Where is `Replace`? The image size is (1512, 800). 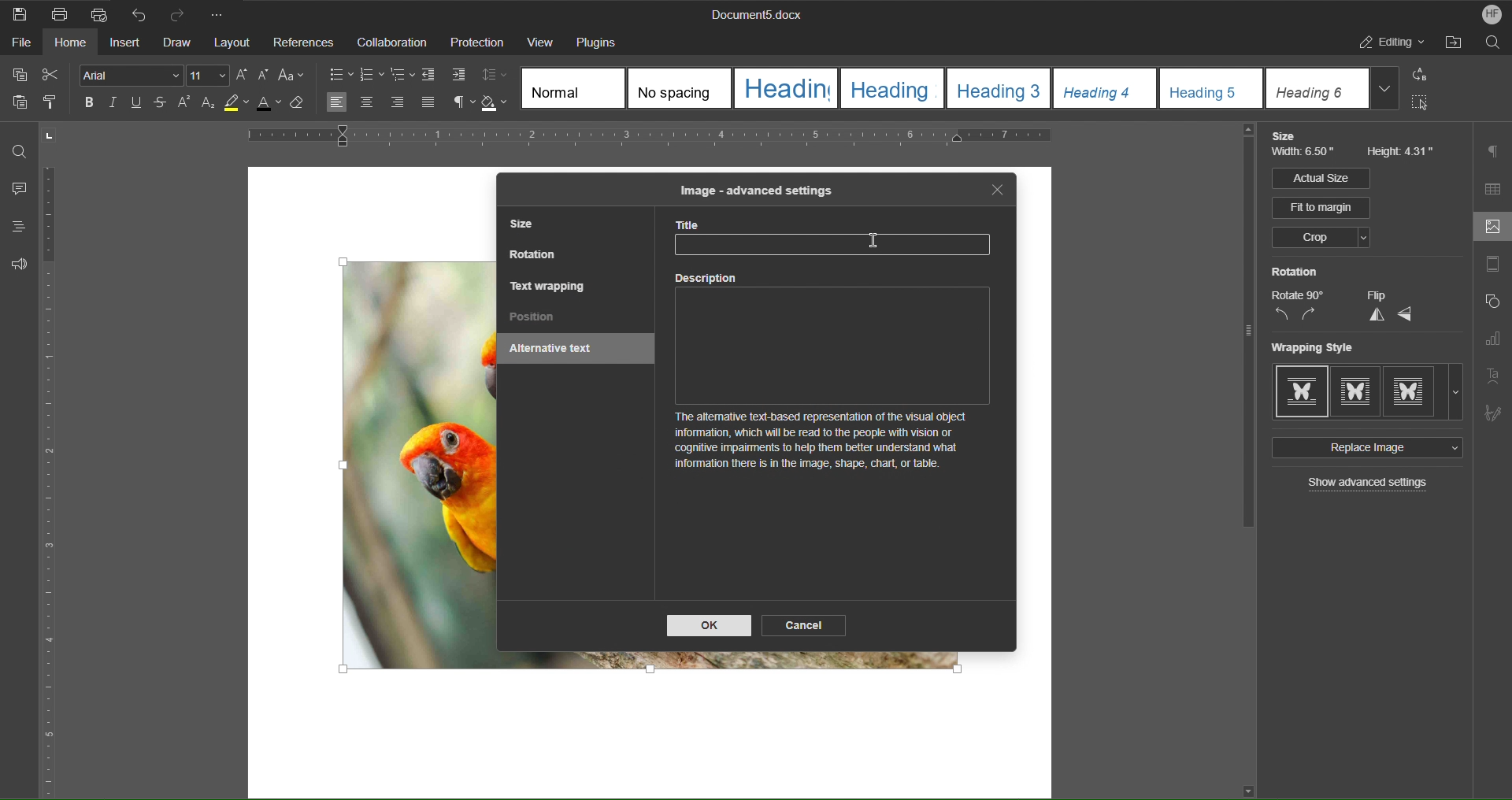
Replace is located at coordinates (1425, 76).